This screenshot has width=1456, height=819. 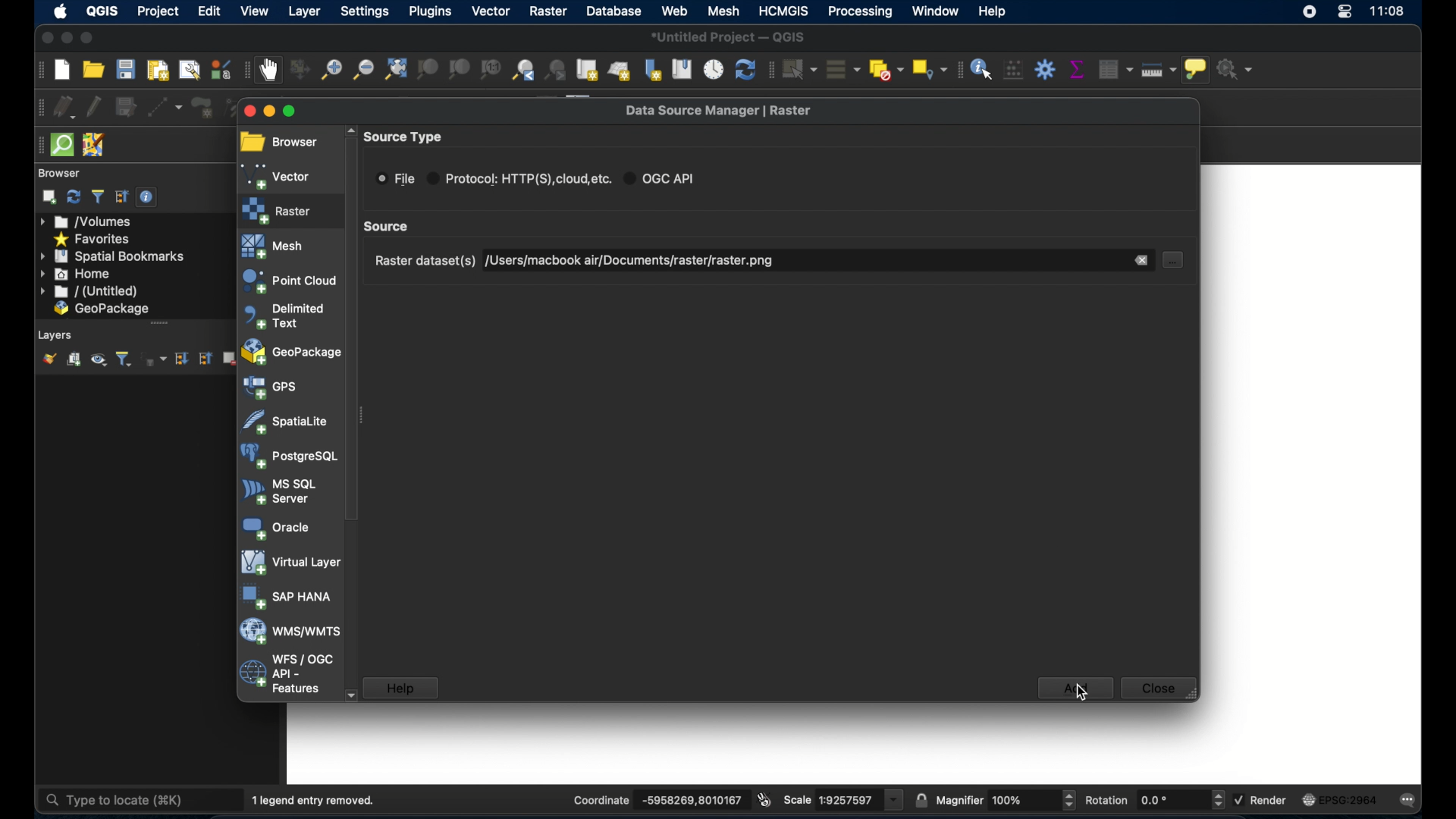 What do you see at coordinates (1162, 689) in the screenshot?
I see `close` at bounding box center [1162, 689].